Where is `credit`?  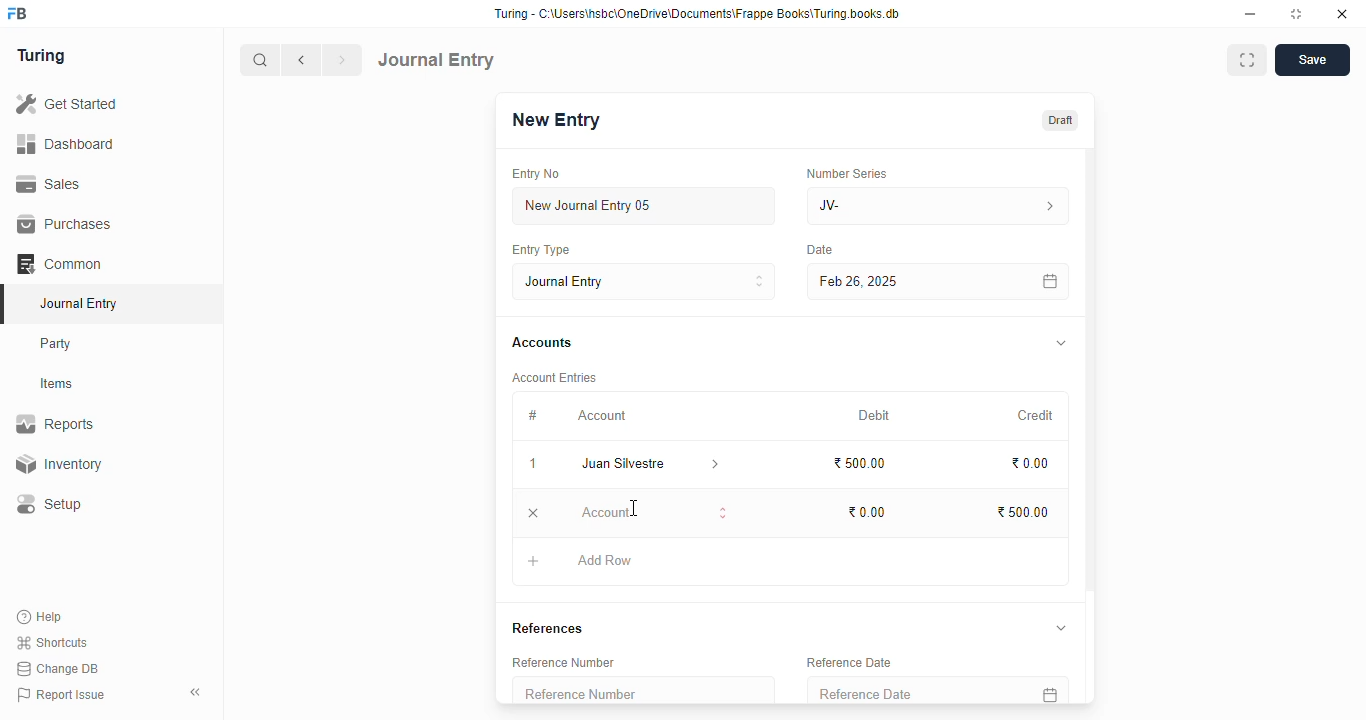 credit is located at coordinates (1037, 415).